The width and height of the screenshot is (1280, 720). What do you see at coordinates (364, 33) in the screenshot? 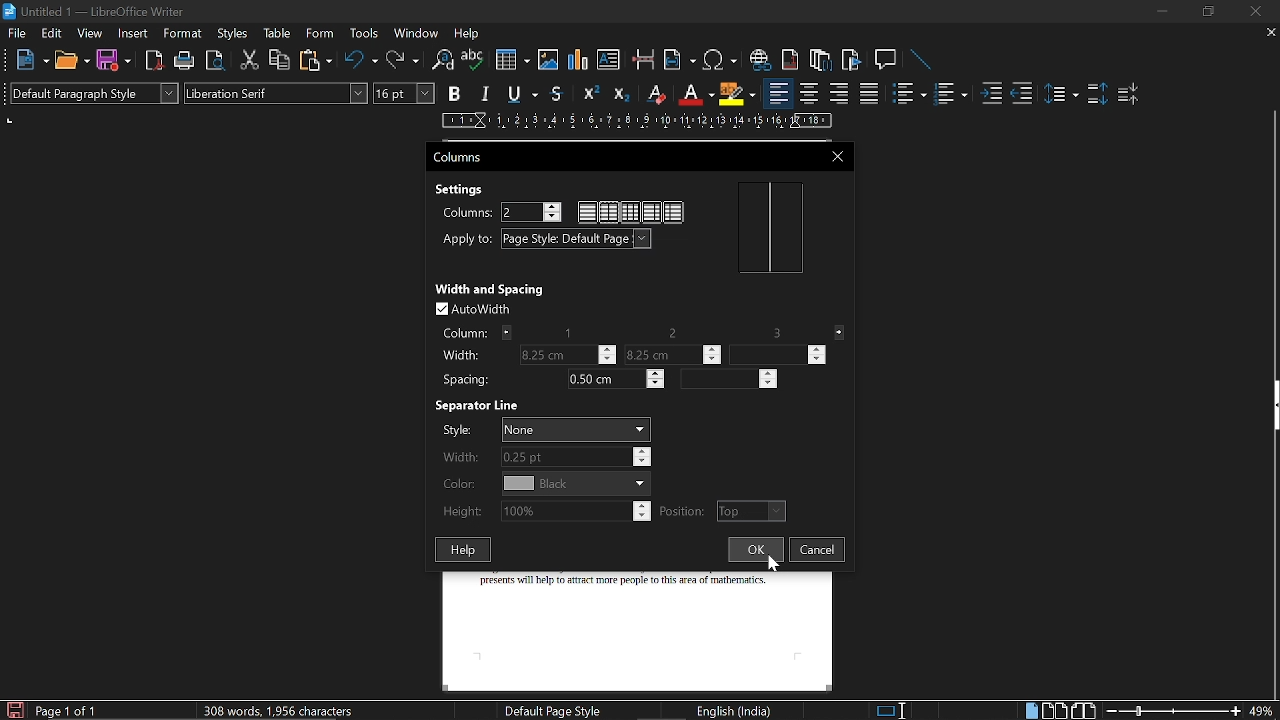
I see `Tools` at bounding box center [364, 33].